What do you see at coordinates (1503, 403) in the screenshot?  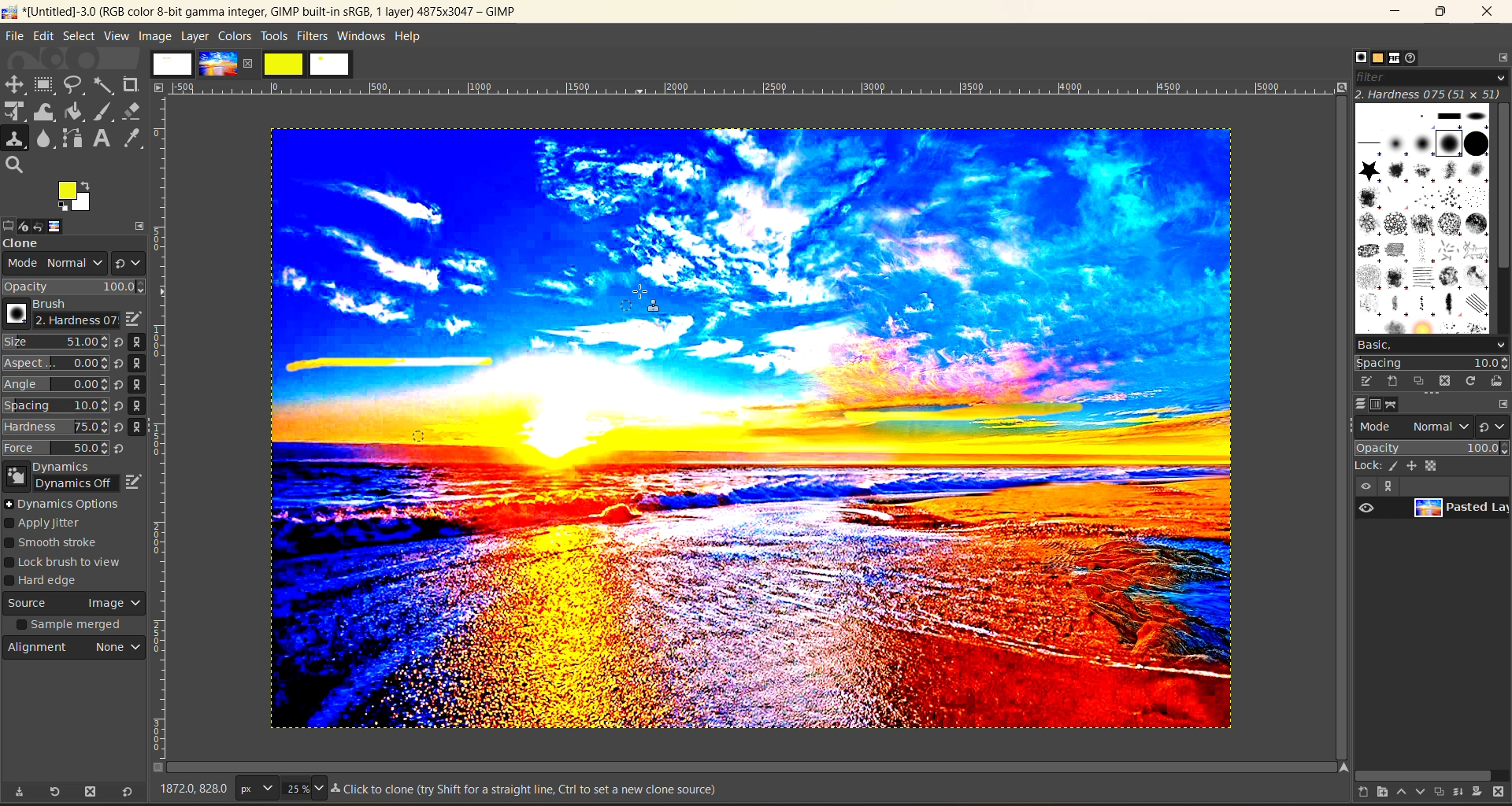 I see `configure` at bounding box center [1503, 403].